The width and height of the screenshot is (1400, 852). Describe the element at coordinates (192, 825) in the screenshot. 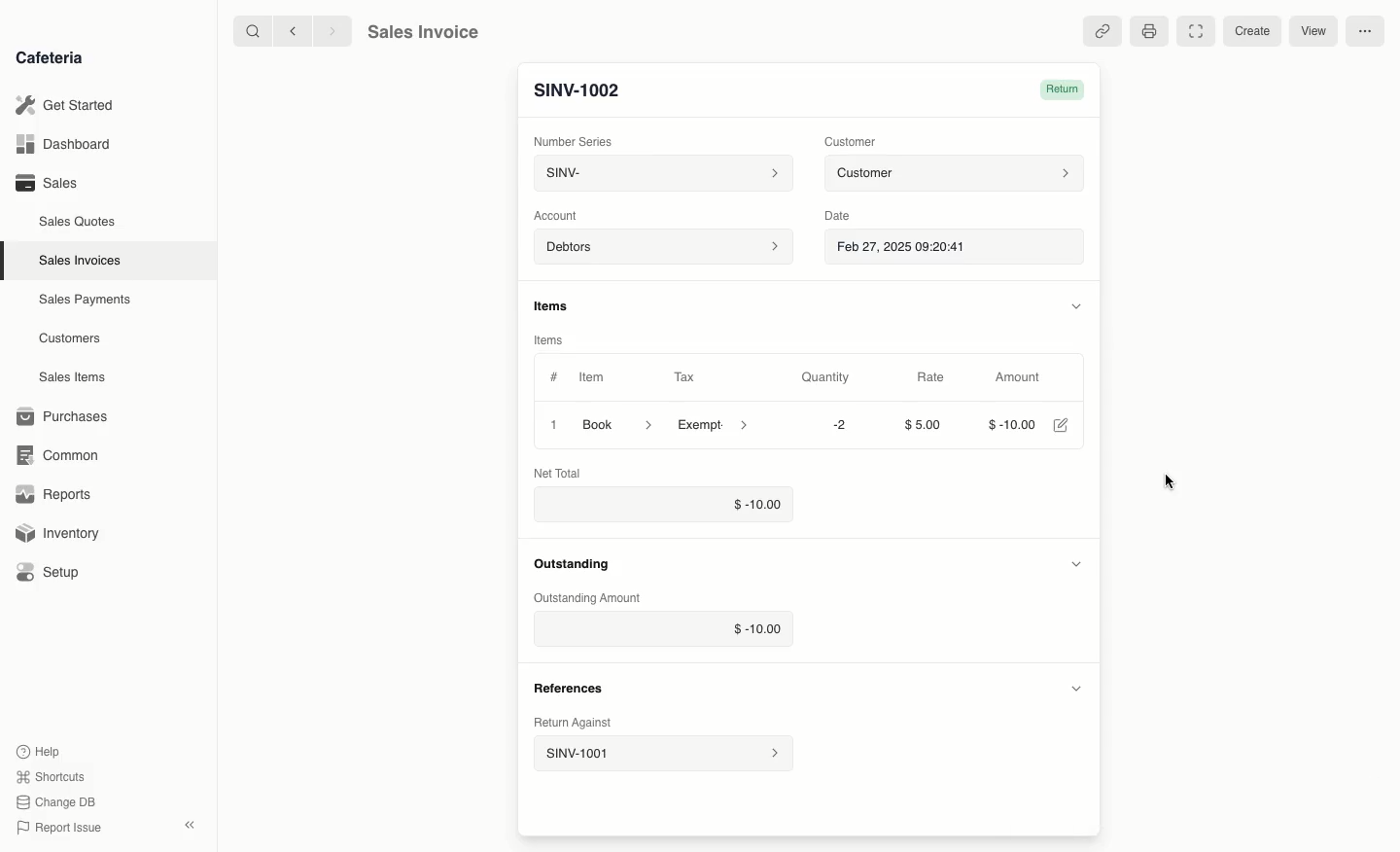

I see `Collapse` at that location.